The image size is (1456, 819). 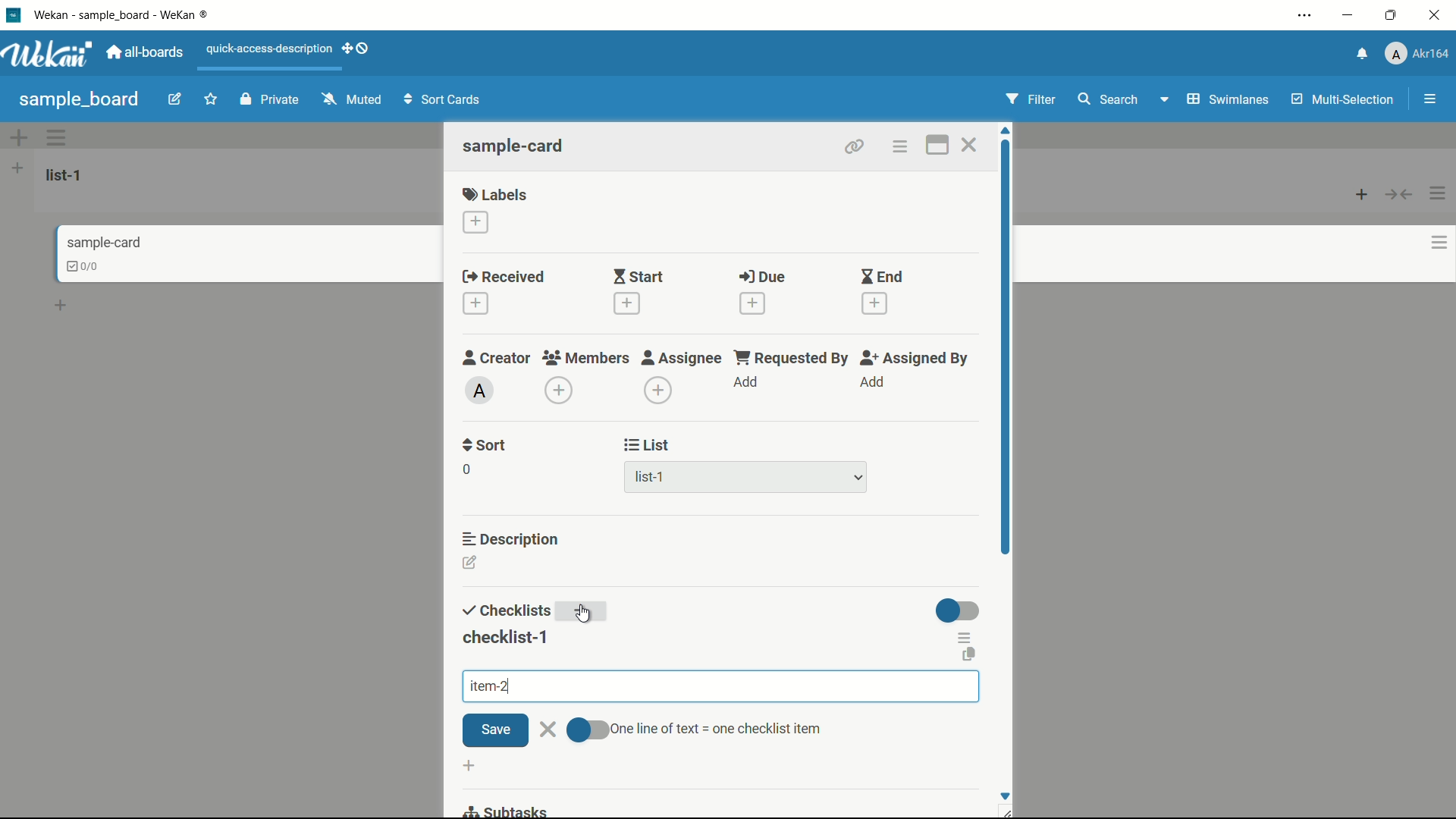 What do you see at coordinates (792, 357) in the screenshot?
I see `requested by` at bounding box center [792, 357].